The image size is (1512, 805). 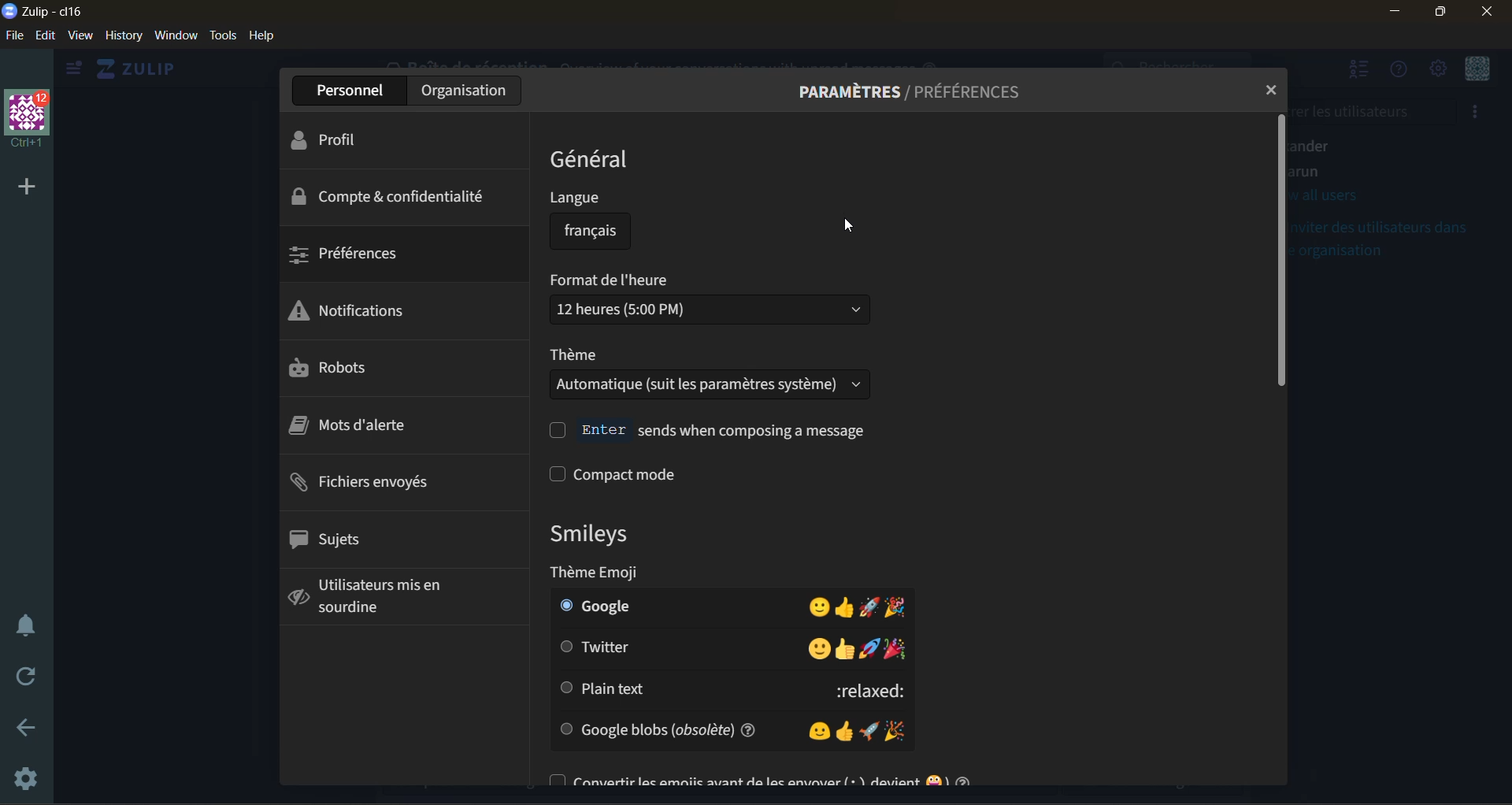 I want to click on account & privacy, so click(x=395, y=197).